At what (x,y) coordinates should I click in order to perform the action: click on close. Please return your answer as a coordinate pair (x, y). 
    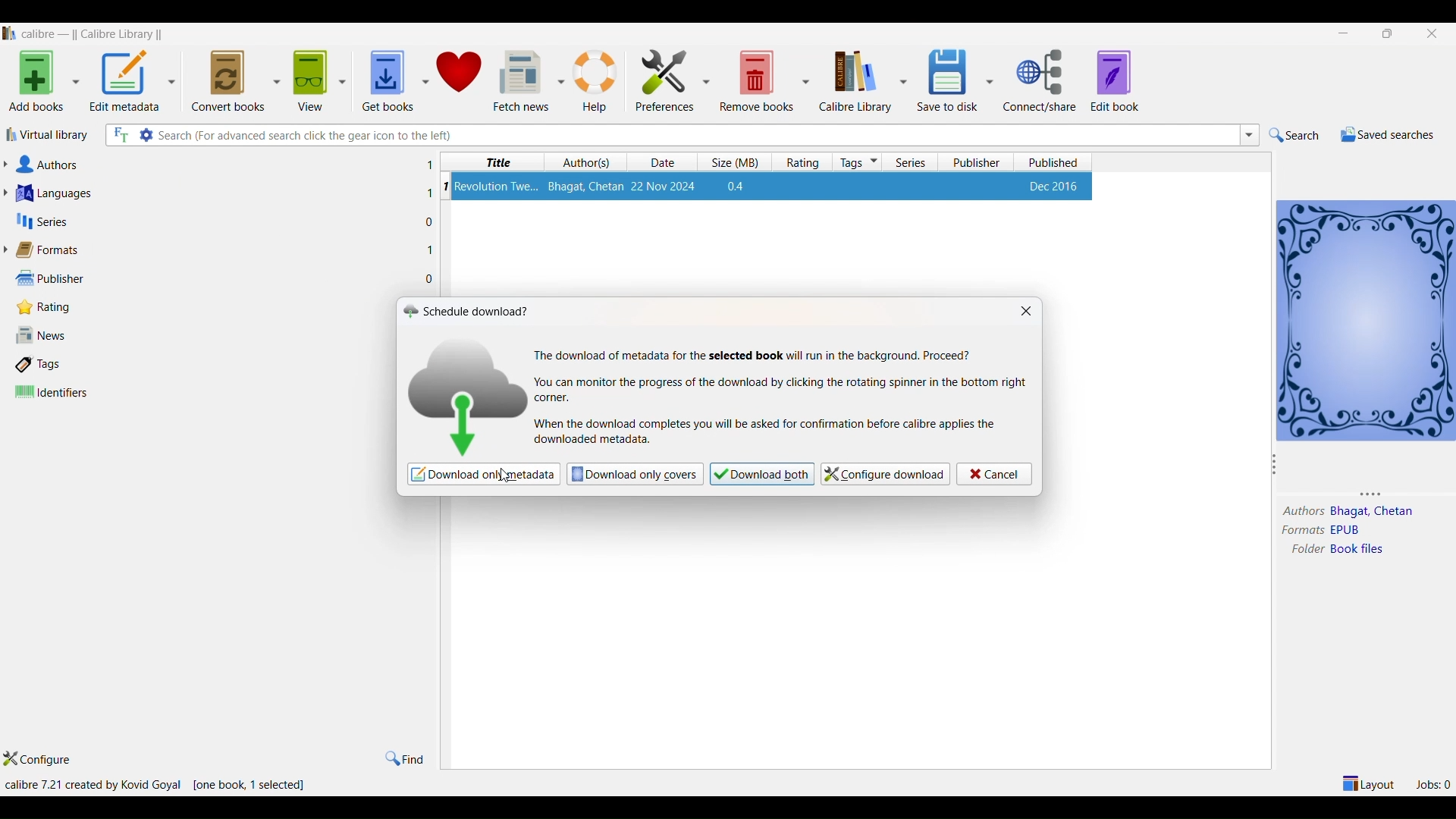
    Looking at the image, I should click on (1436, 35).